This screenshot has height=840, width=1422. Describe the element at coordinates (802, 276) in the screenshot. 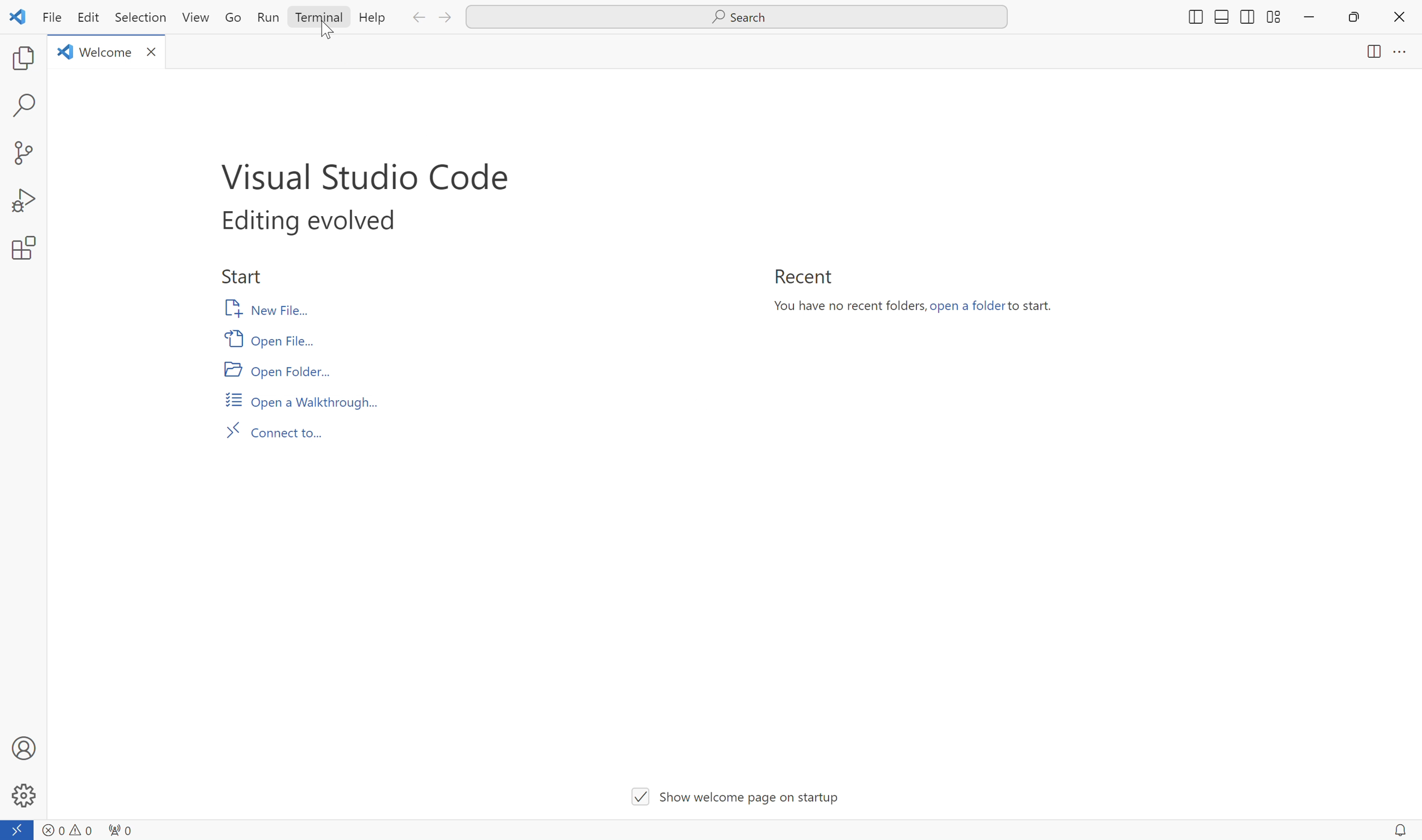

I see `Recent` at that location.